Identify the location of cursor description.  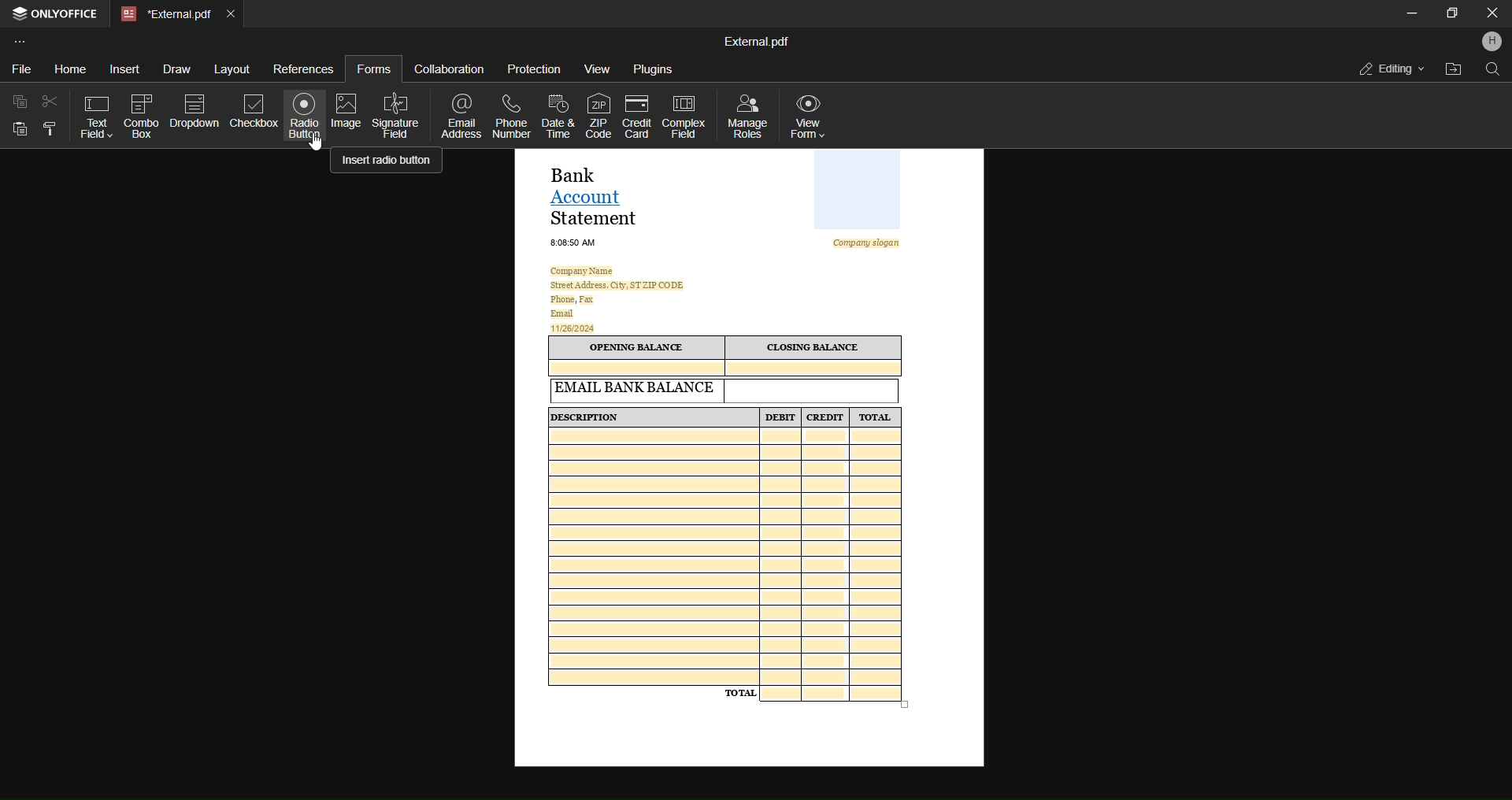
(387, 162).